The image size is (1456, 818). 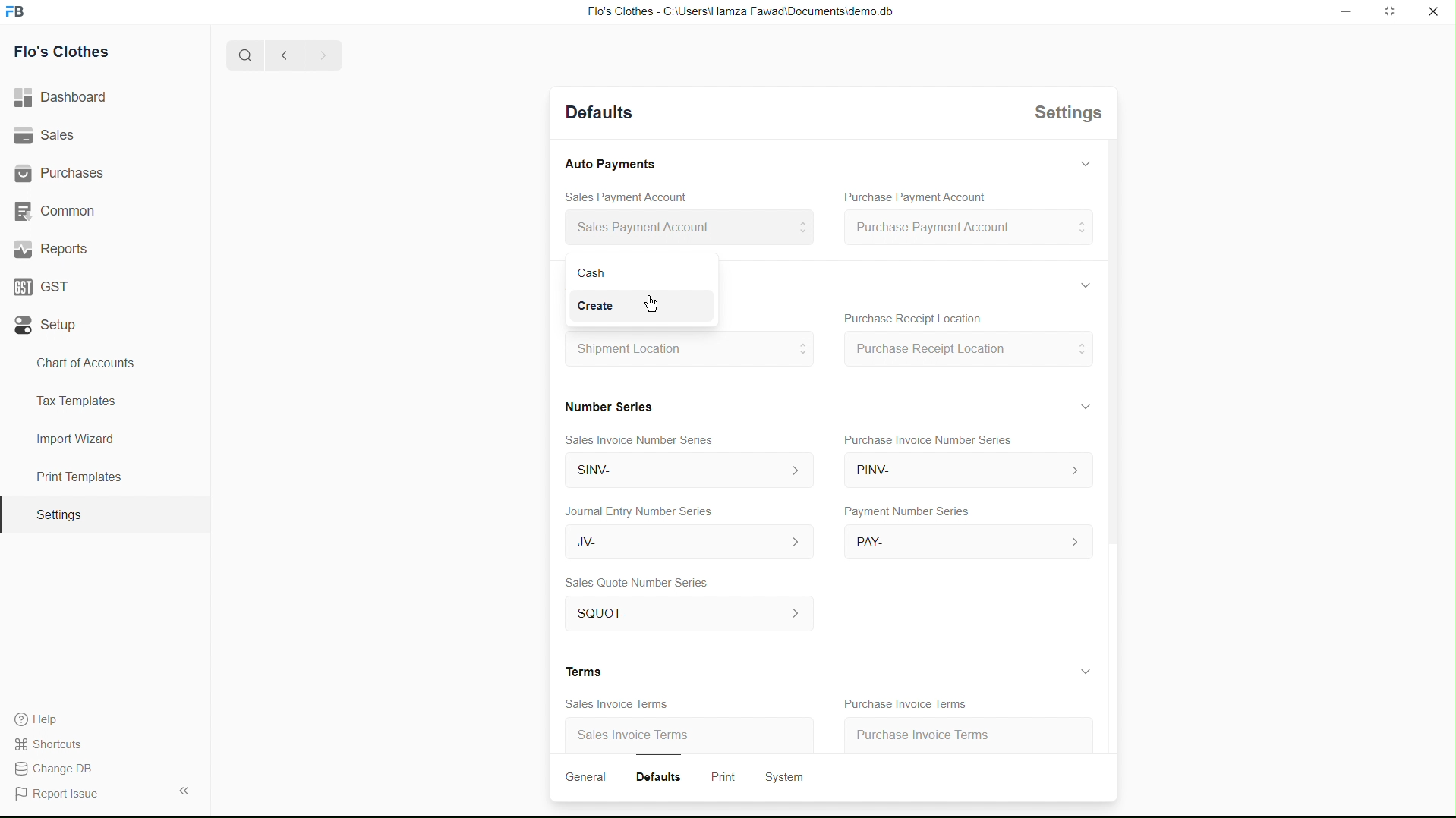 What do you see at coordinates (1082, 167) in the screenshot?
I see `Hide ` at bounding box center [1082, 167].